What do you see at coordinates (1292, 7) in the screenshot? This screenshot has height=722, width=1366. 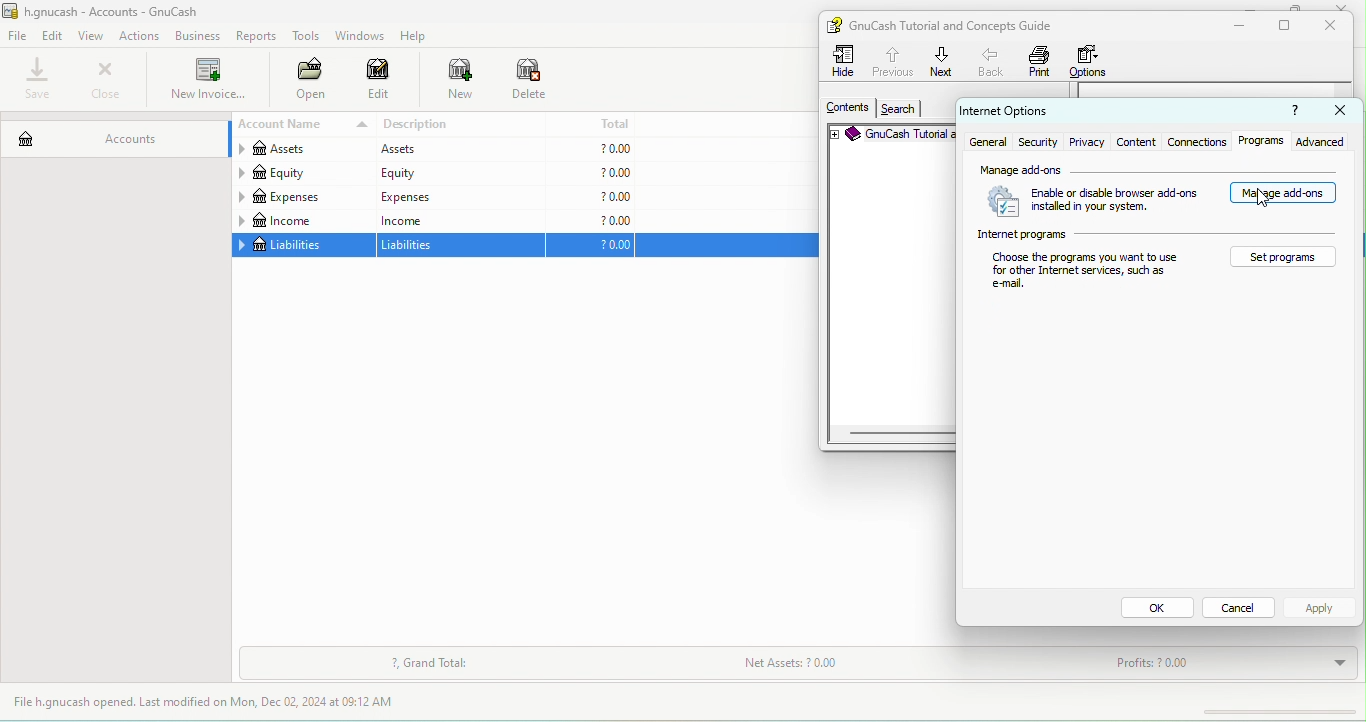 I see `maximize` at bounding box center [1292, 7].